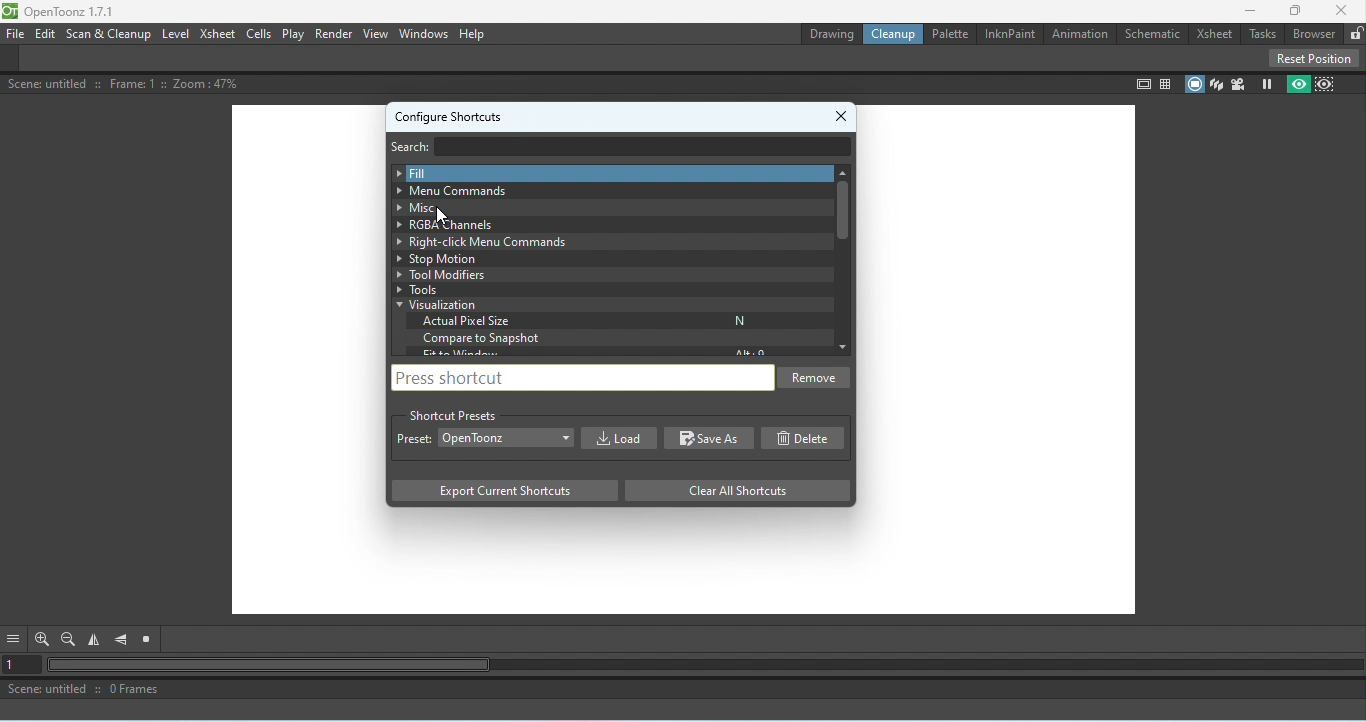 This screenshot has height=722, width=1366. Describe the element at coordinates (897, 35) in the screenshot. I see `Cleanup` at that location.